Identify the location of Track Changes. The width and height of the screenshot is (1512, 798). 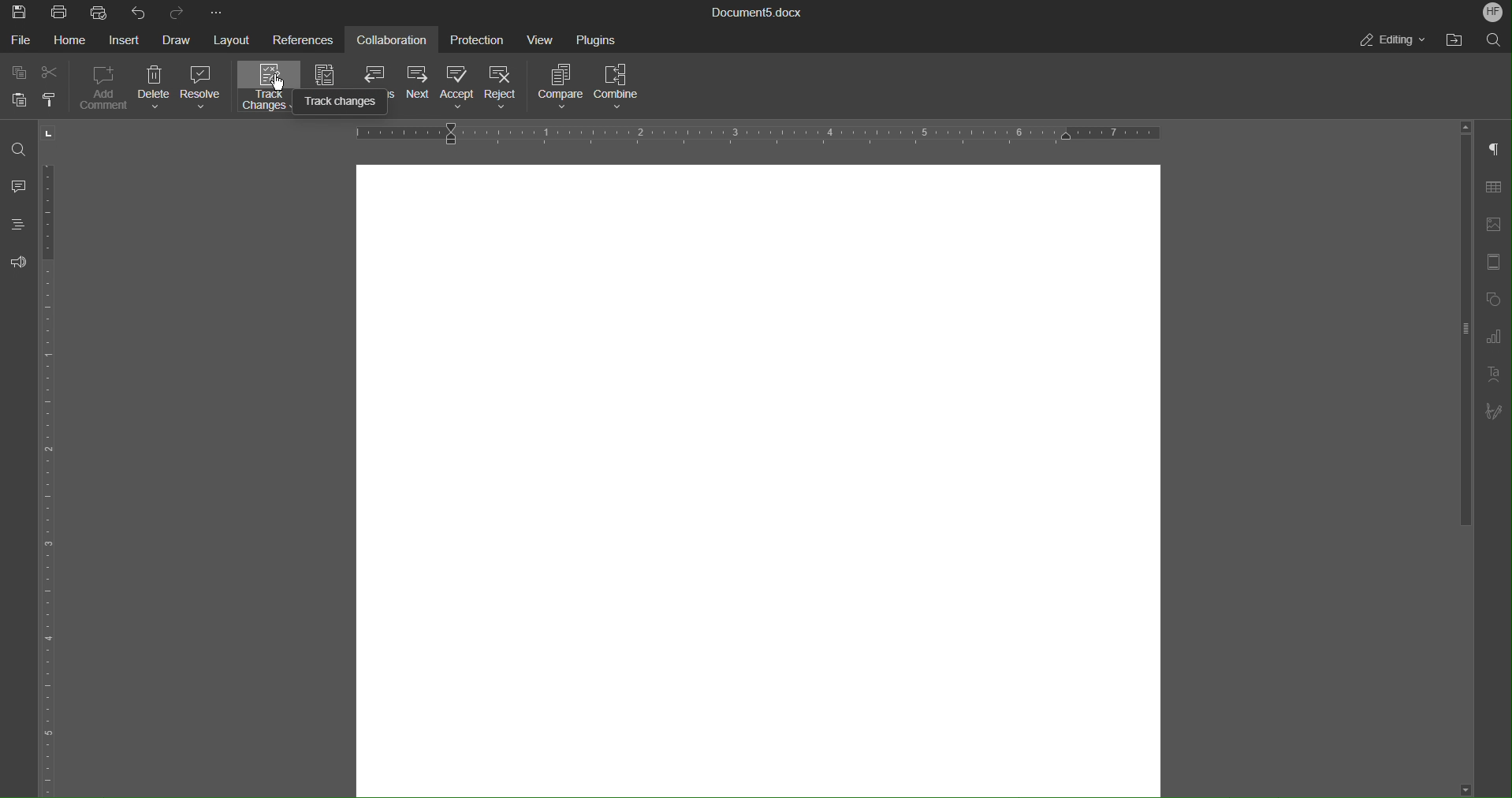
(268, 90).